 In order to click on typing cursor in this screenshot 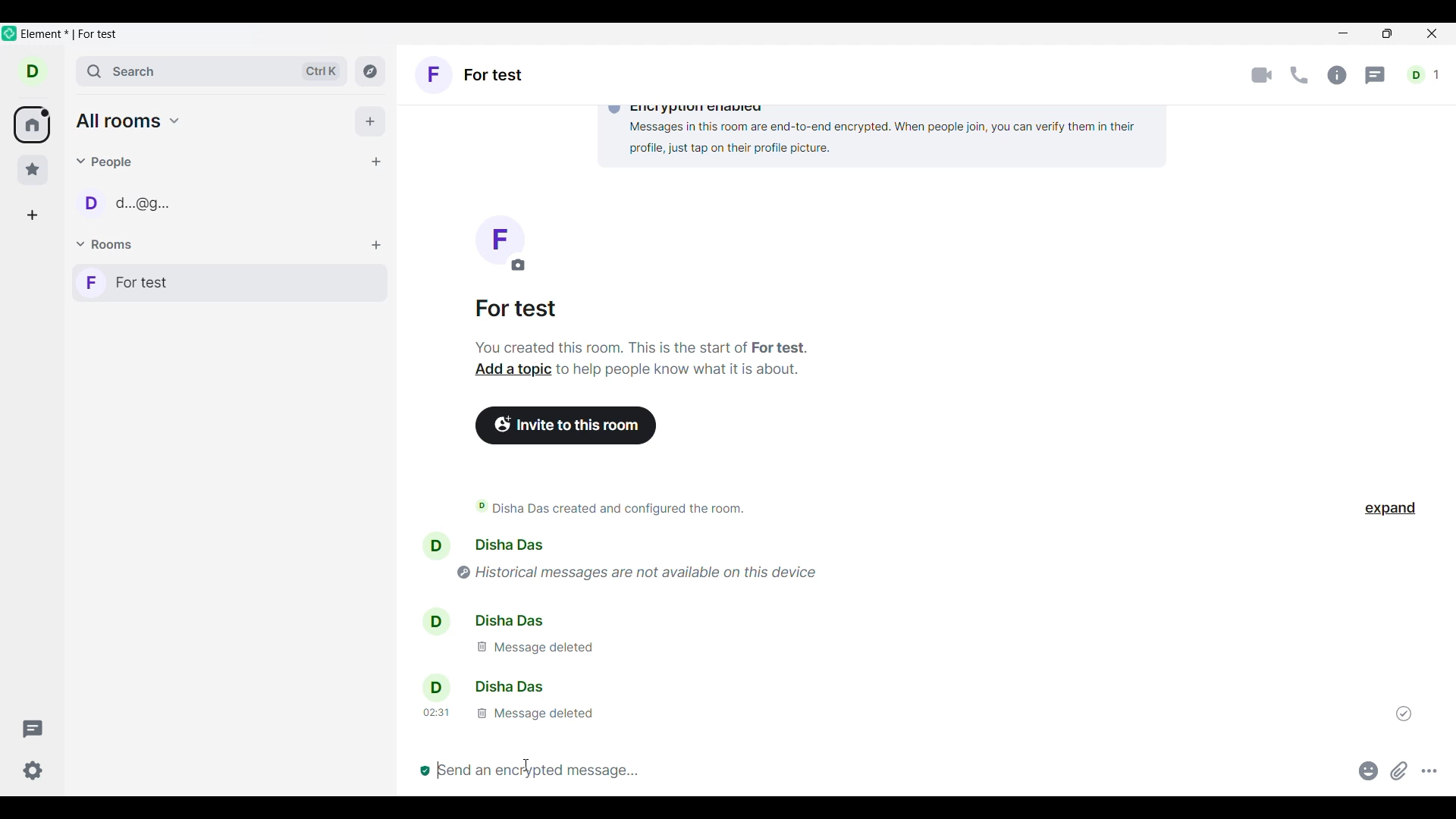, I will do `click(438, 770)`.